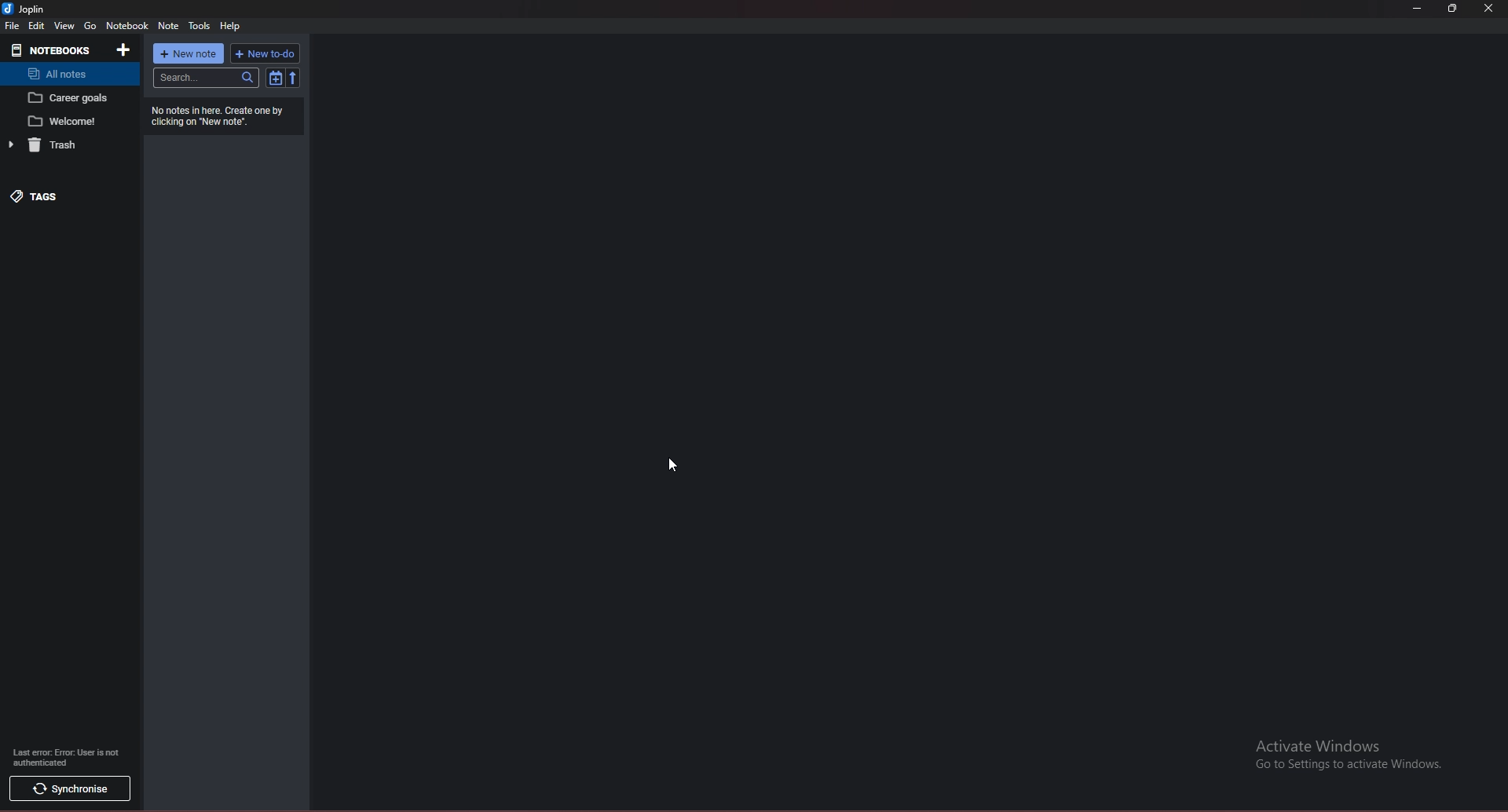 Image resolution: width=1508 pixels, height=812 pixels. I want to click on new note, so click(188, 53).